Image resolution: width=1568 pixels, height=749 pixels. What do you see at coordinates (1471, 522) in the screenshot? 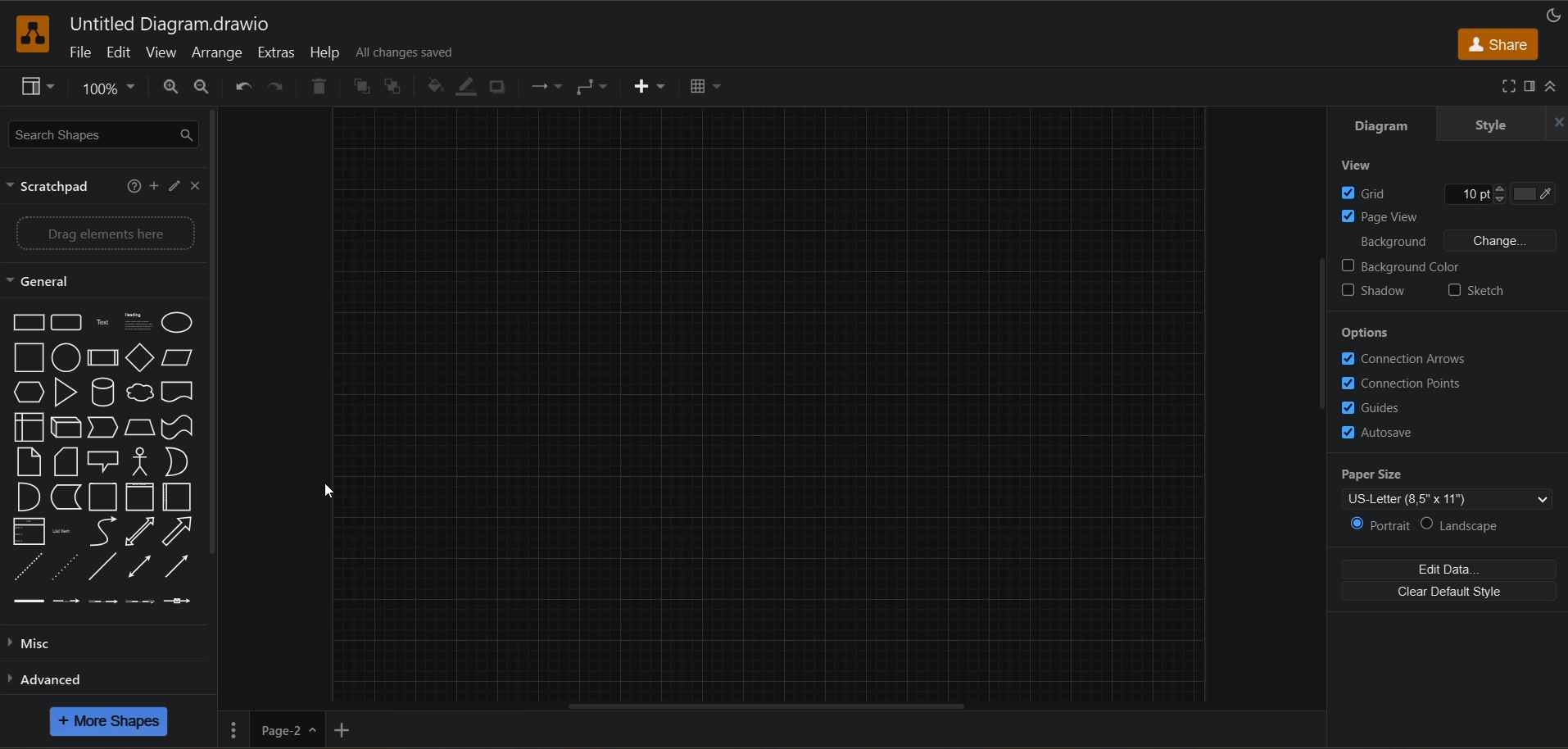
I see `landscape` at bounding box center [1471, 522].